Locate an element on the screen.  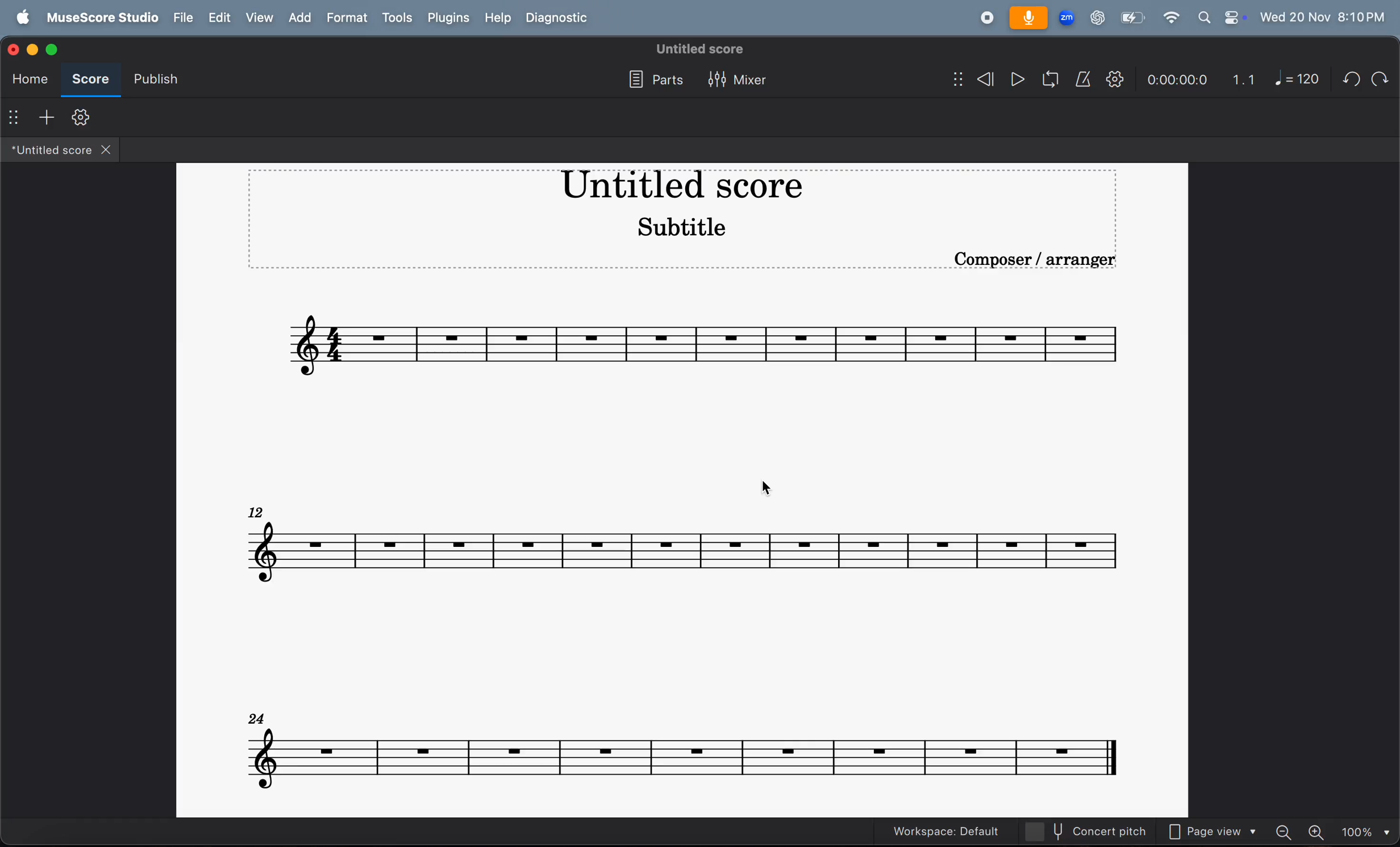
maximize is located at coordinates (56, 49).